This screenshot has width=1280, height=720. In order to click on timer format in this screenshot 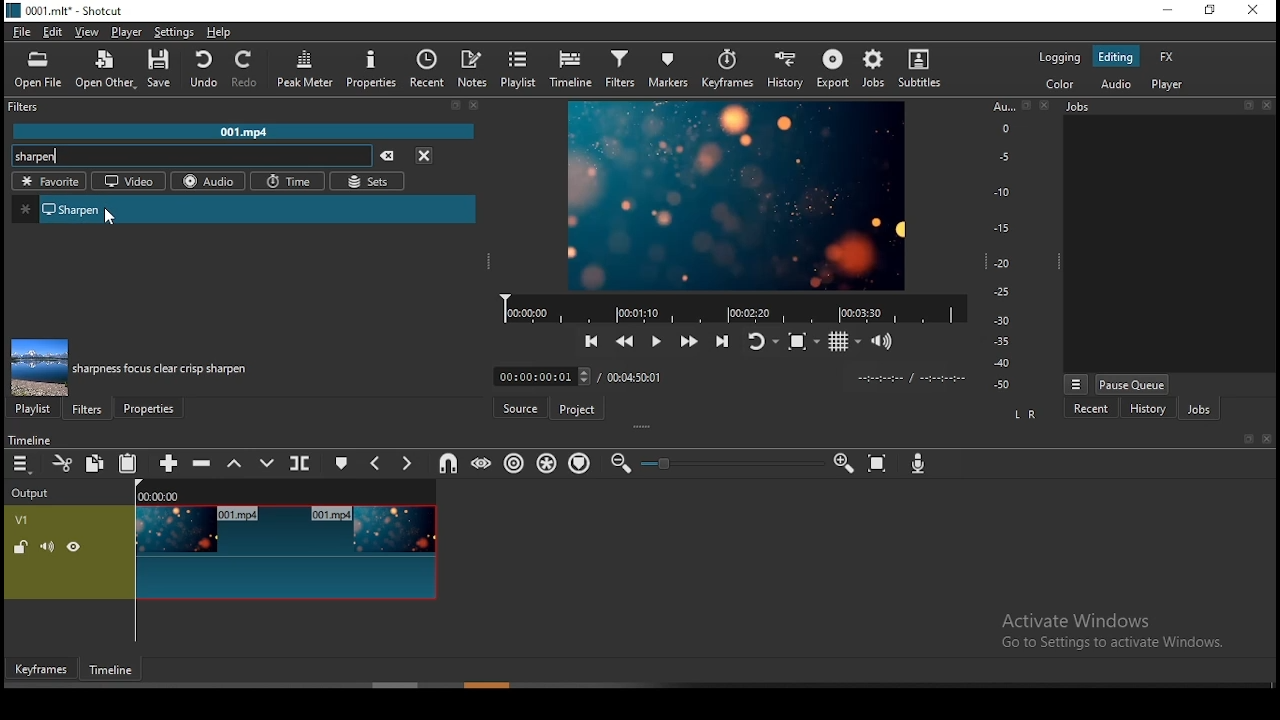, I will do `click(911, 377)`.